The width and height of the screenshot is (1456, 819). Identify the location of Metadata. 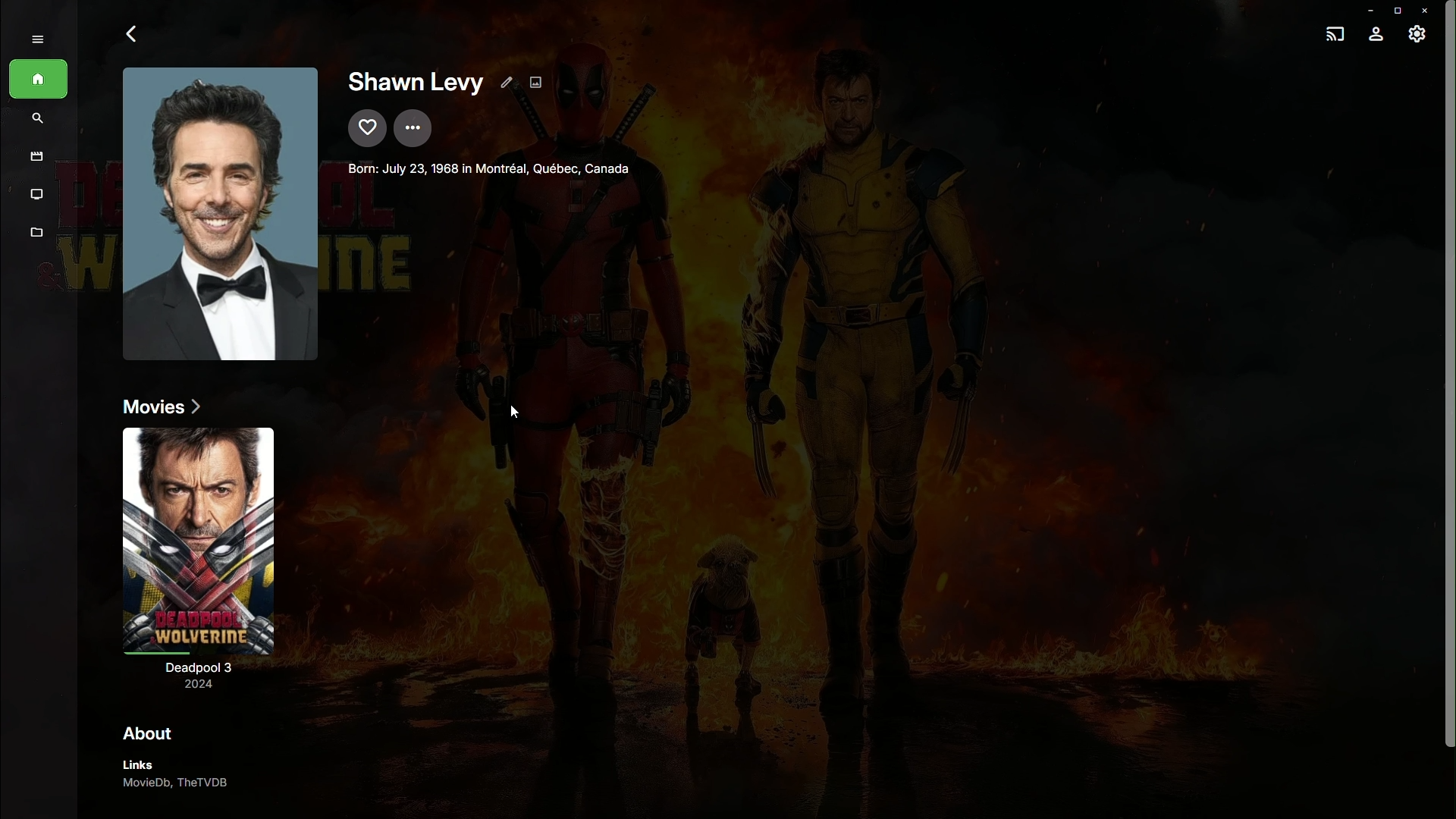
(33, 235).